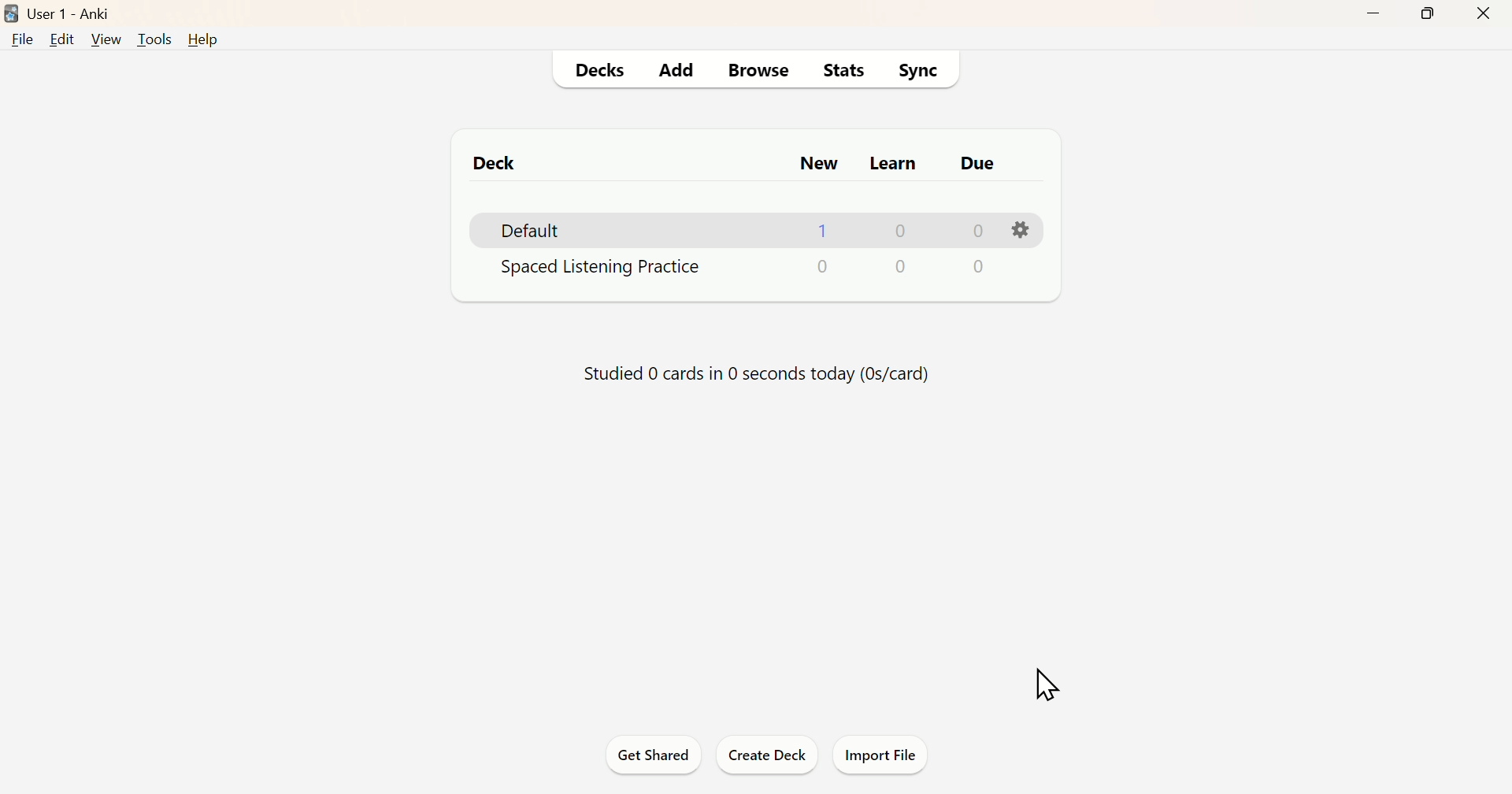 The width and height of the screenshot is (1512, 794). I want to click on Deck, so click(497, 166).